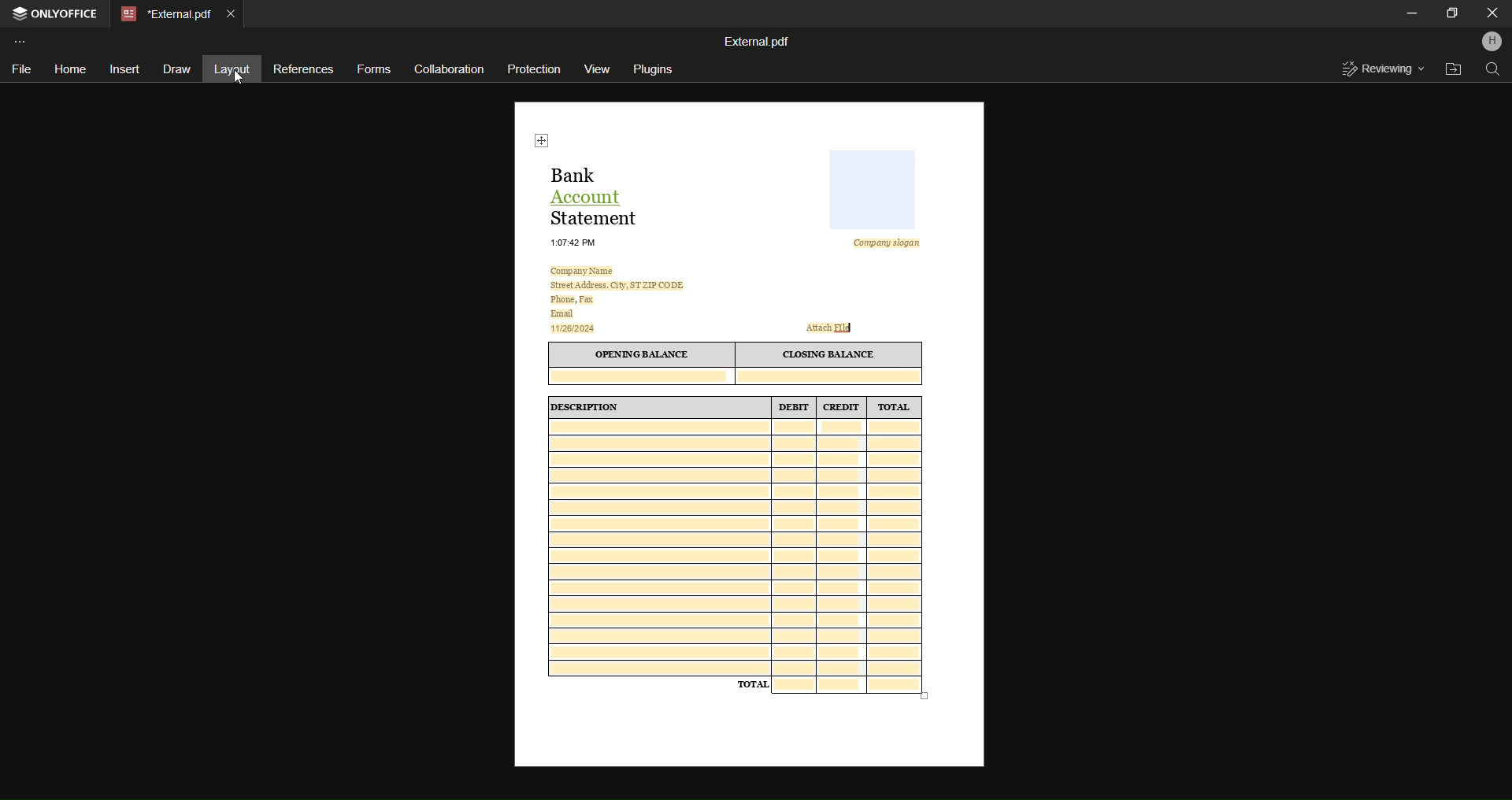 The width and height of the screenshot is (1512, 800). What do you see at coordinates (1493, 72) in the screenshot?
I see `Find` at bounding box center [1493, 72].